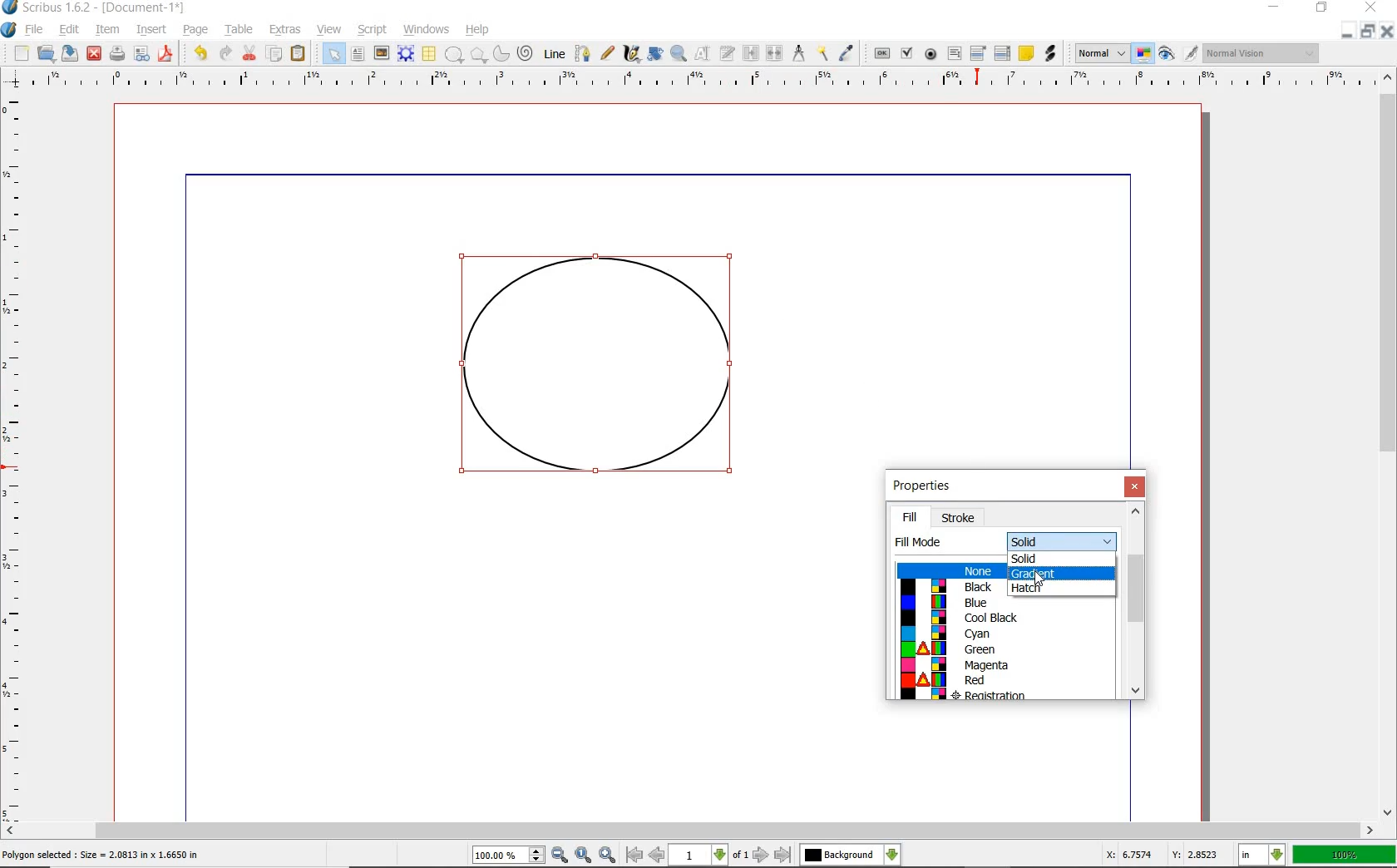 The image size is (1397, 868). I want to click on gradient, so click(1062, 573).